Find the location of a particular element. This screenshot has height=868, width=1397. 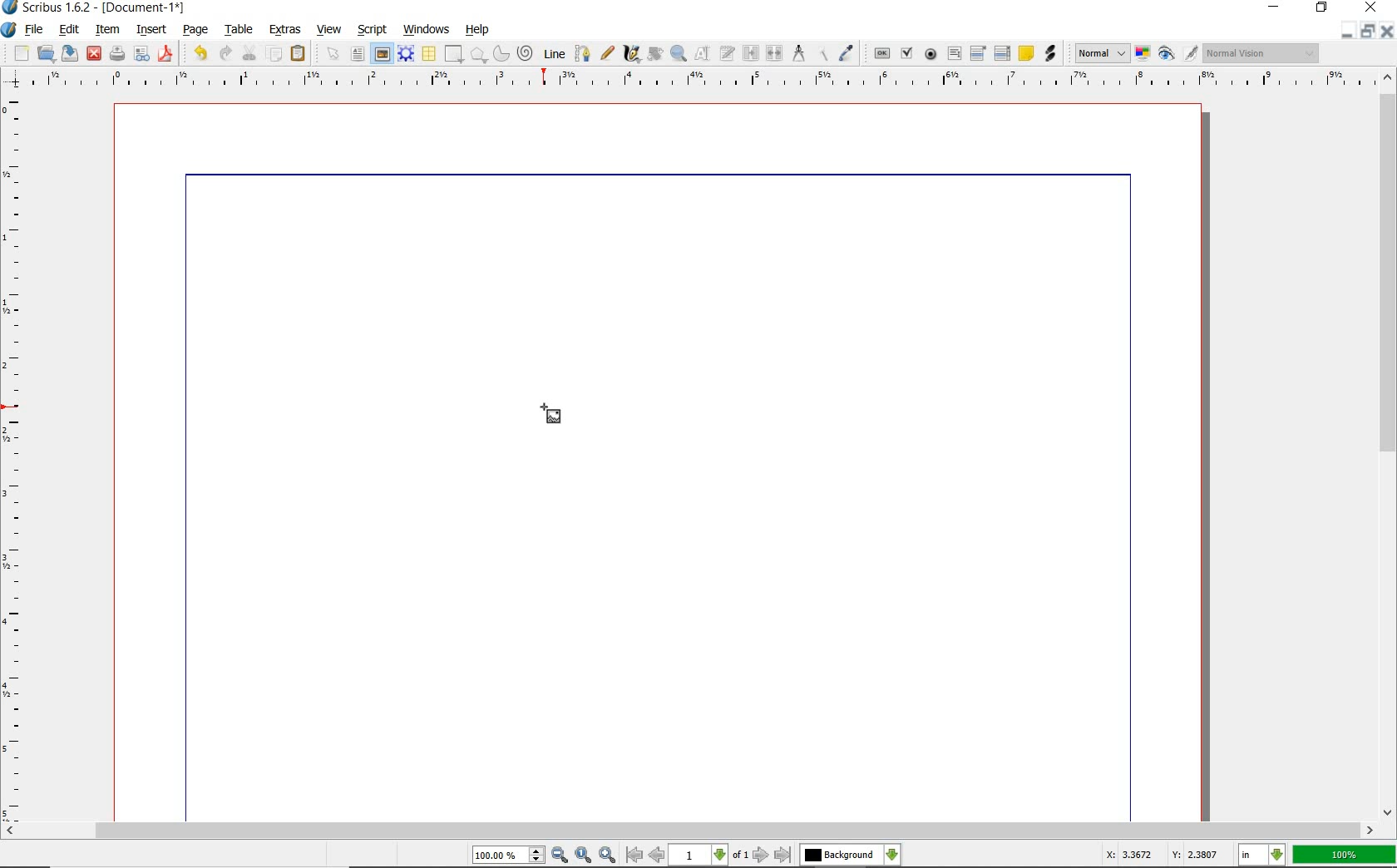

open is located at coordinates (45, 52).